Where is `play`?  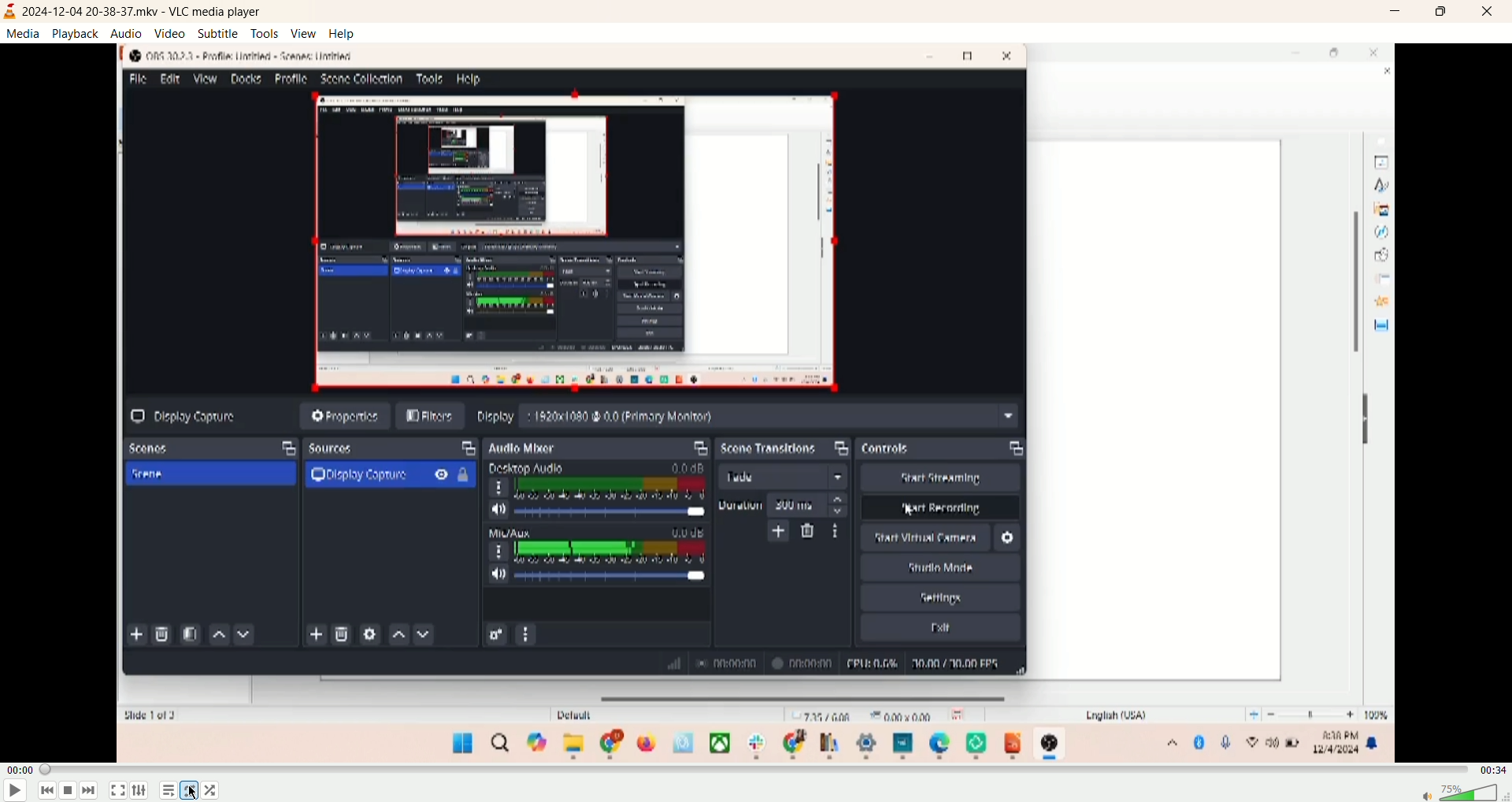 play is located at coordinates (14, 793).